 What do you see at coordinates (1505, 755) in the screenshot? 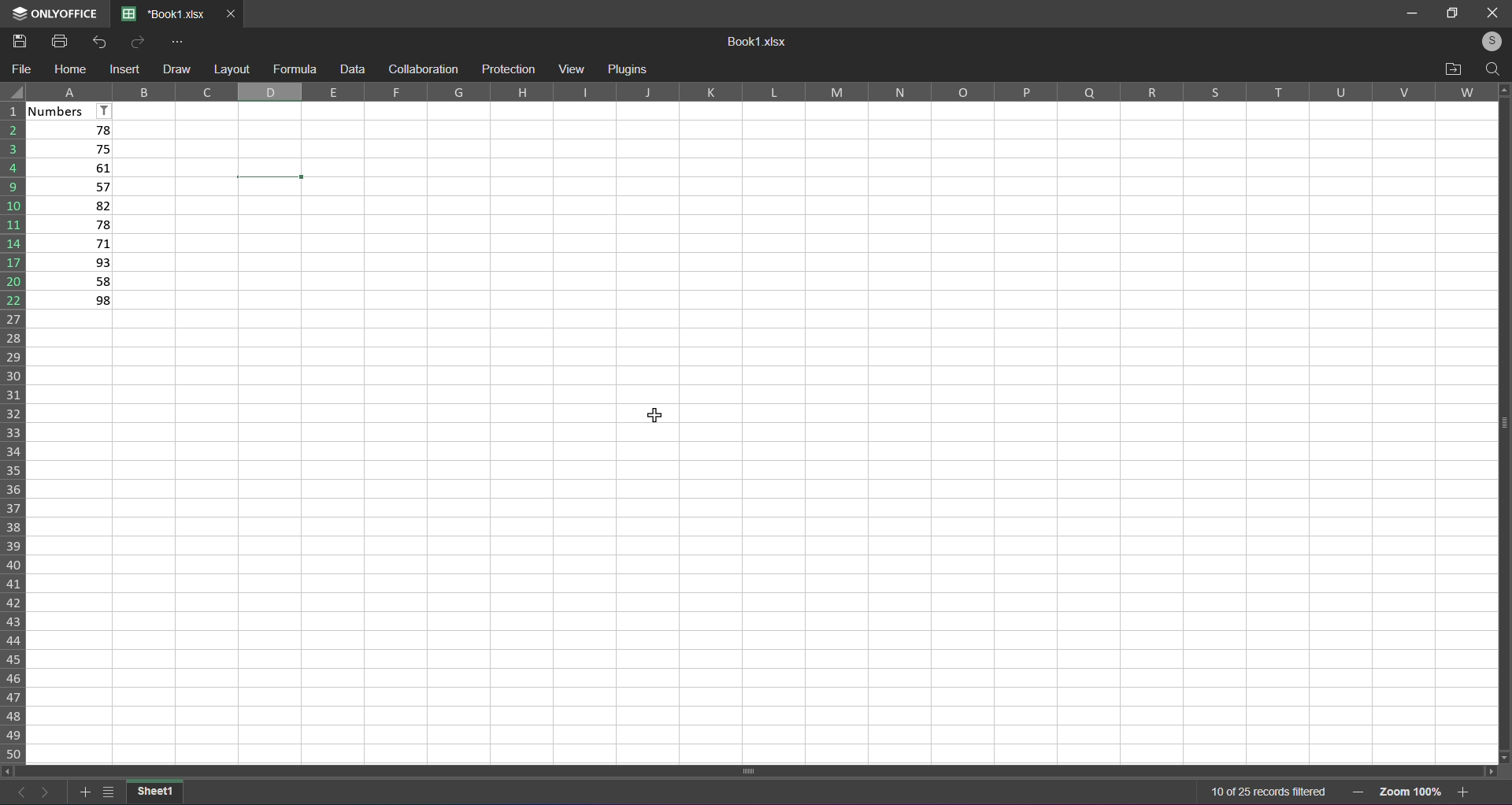
I see `Move down` at bounding box center [1505, 755].